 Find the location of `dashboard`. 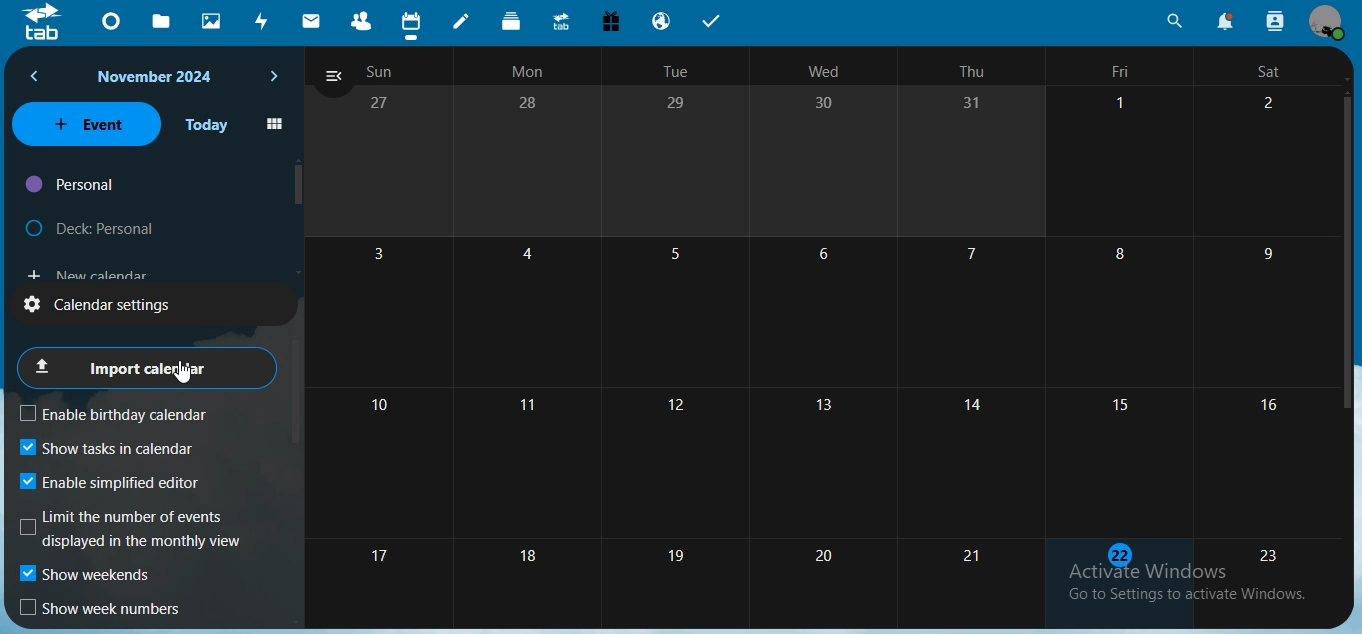

dashboard is located at coordinates (115, 20).